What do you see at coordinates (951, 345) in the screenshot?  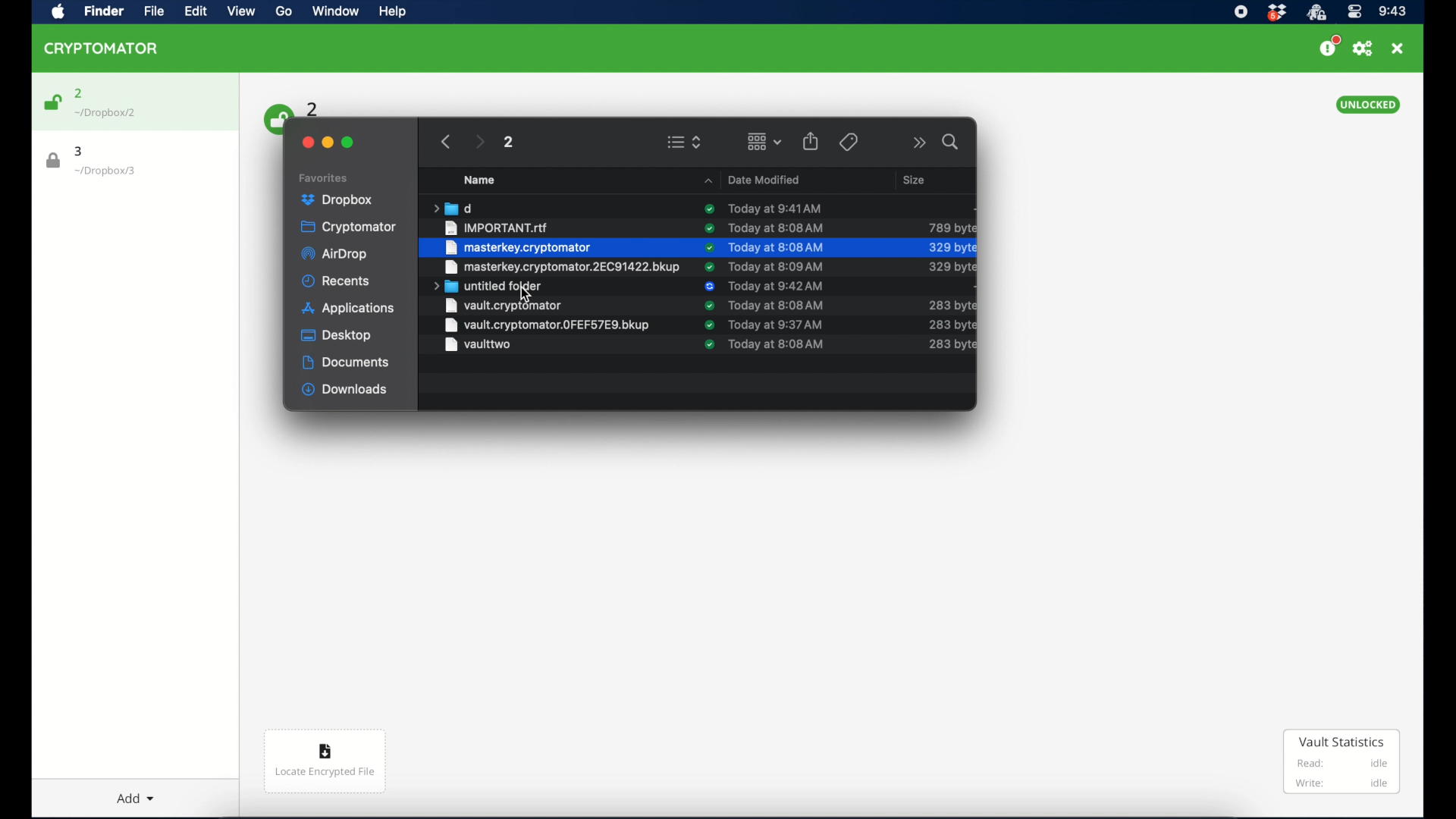 I see `283 bytes` at bounding box center [951, 345].